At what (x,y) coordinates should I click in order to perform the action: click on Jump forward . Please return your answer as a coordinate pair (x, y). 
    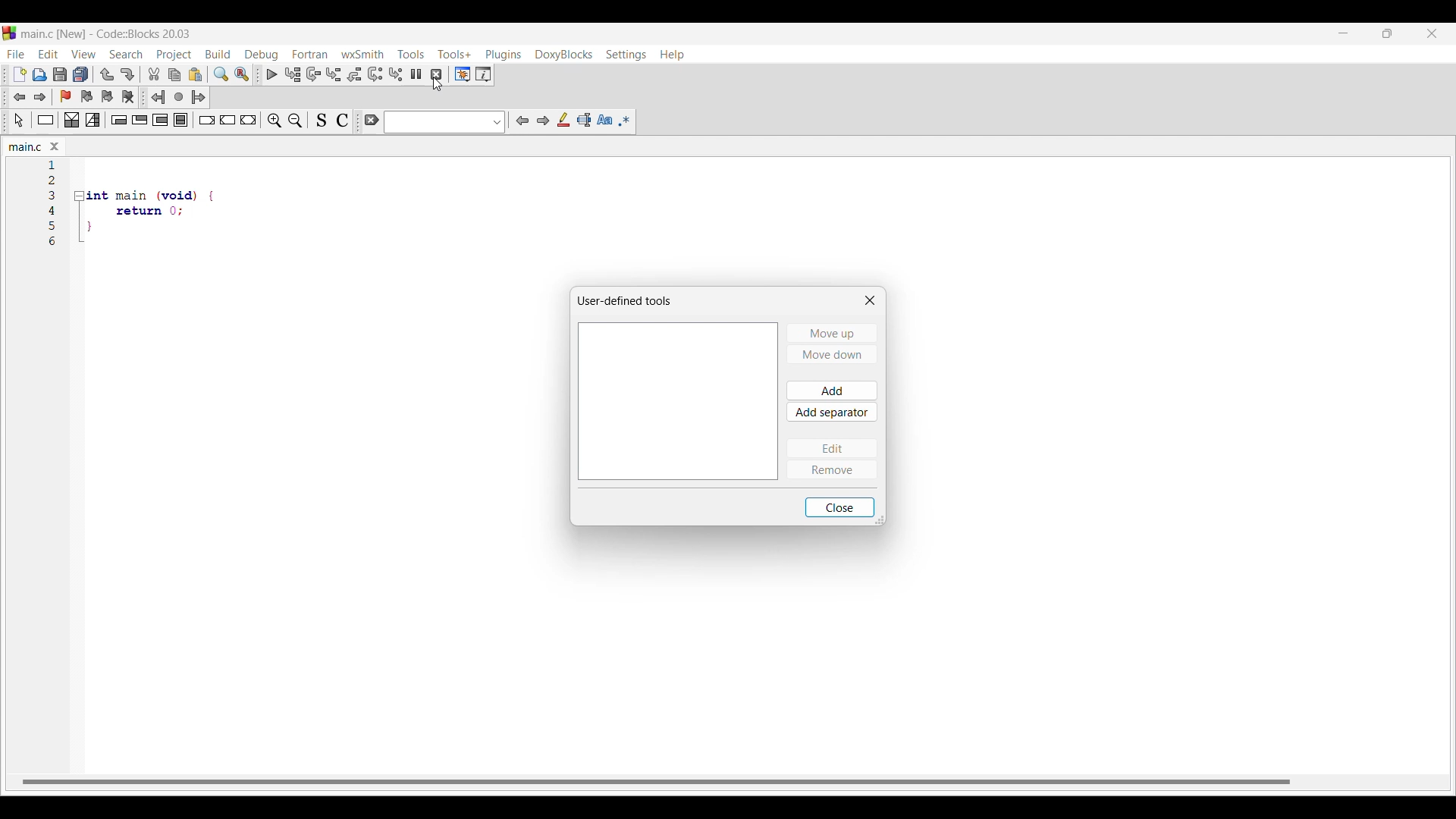
    Looking at the image, I should click on (39, 97).